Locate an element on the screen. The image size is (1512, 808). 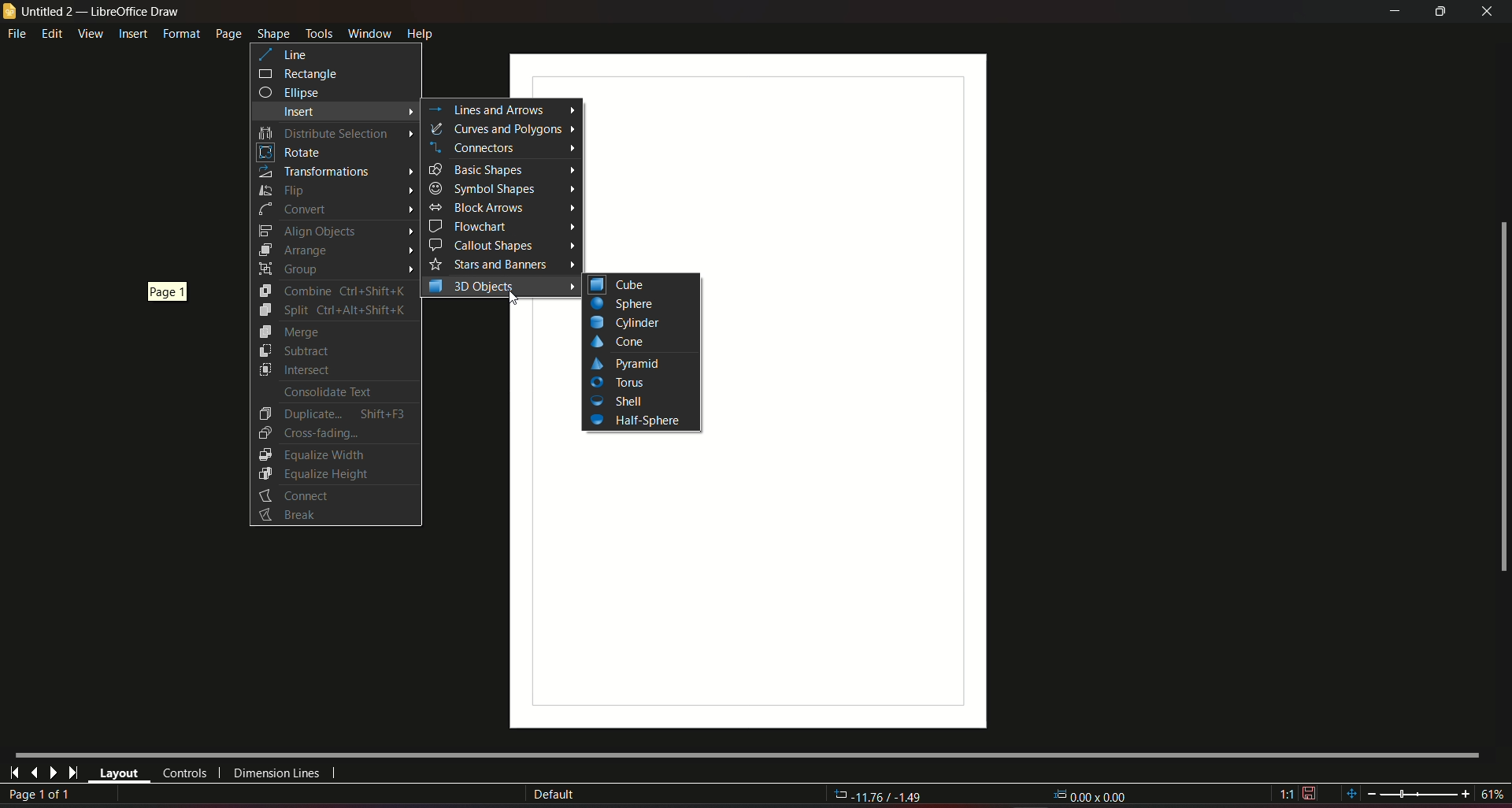
Arrow is located at coordinates (407, 249).